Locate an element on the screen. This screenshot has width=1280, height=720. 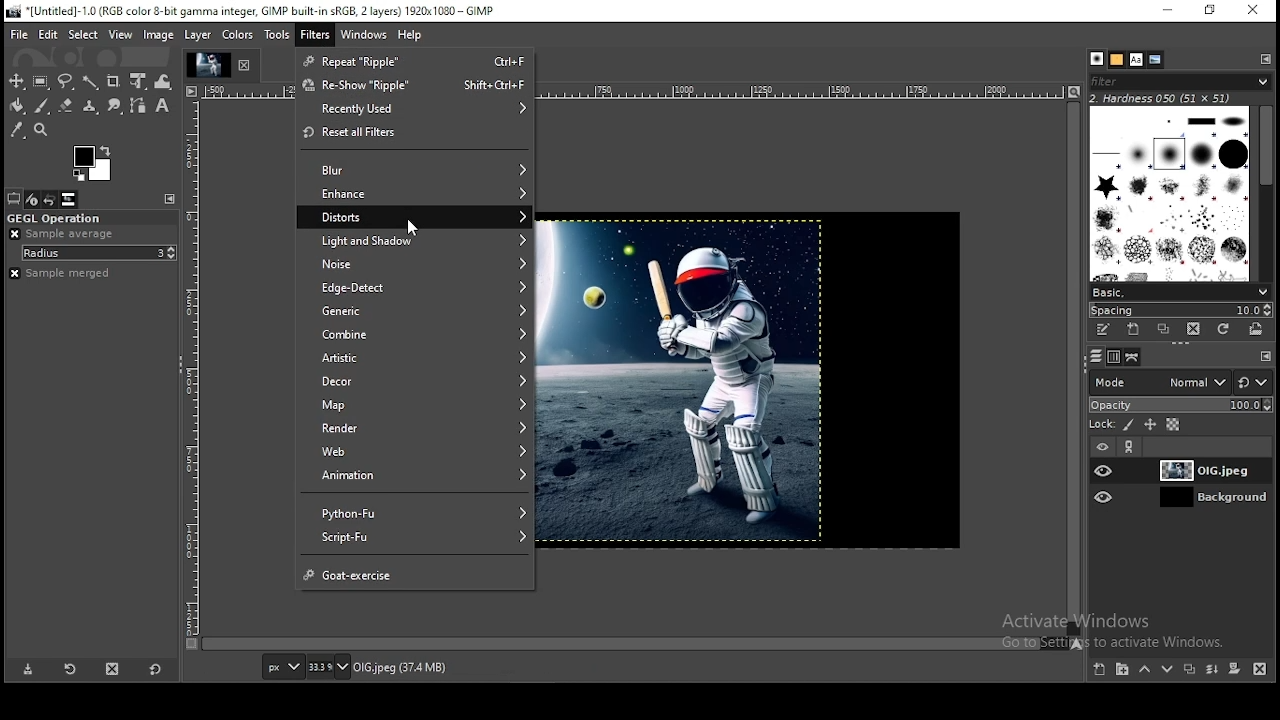
smudge tool is located at coordinates (116, 107).